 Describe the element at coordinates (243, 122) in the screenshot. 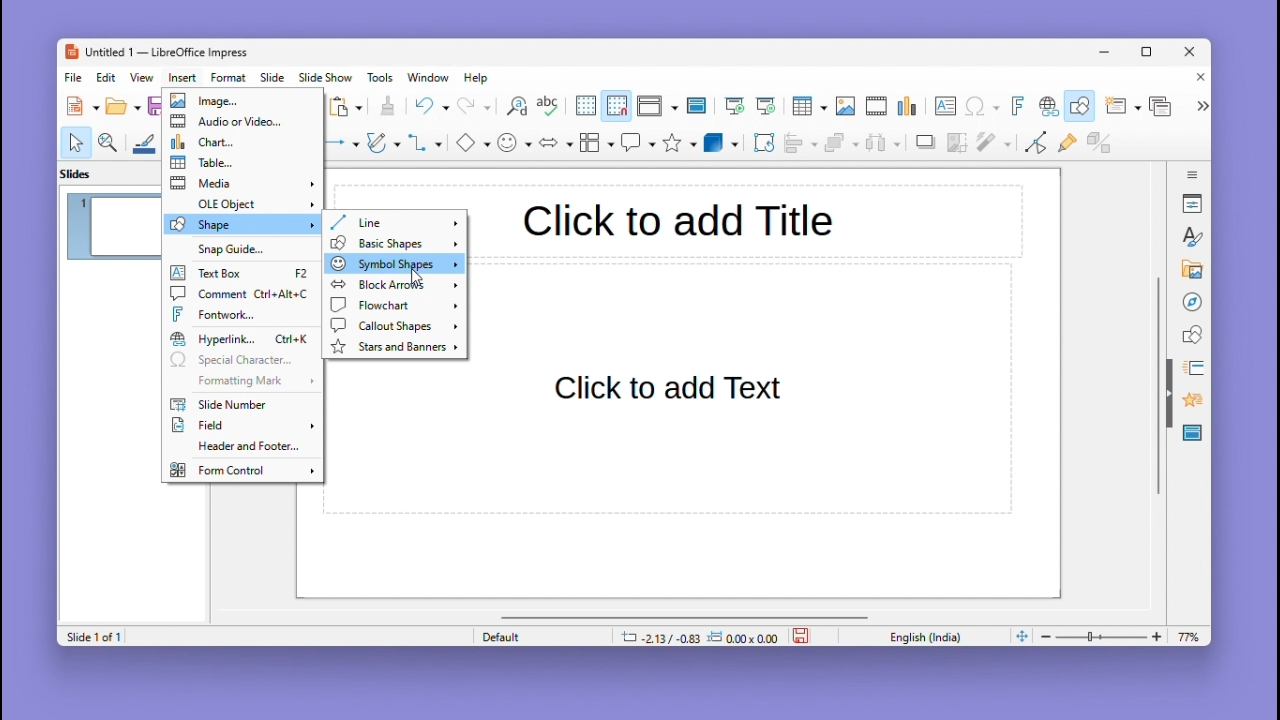

I see `Audio or video` at that location.